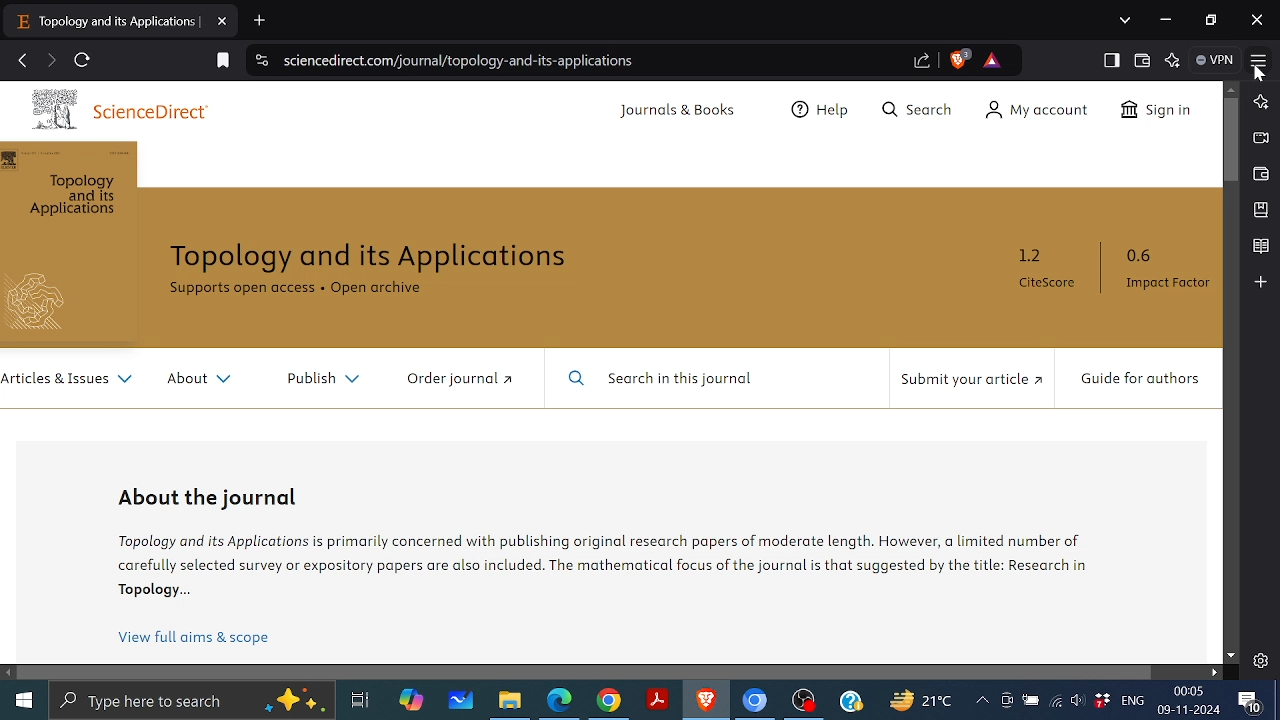 This screenshot has height=720, width=1280. I want to click on Topology and its Applications, so click(370, 259).